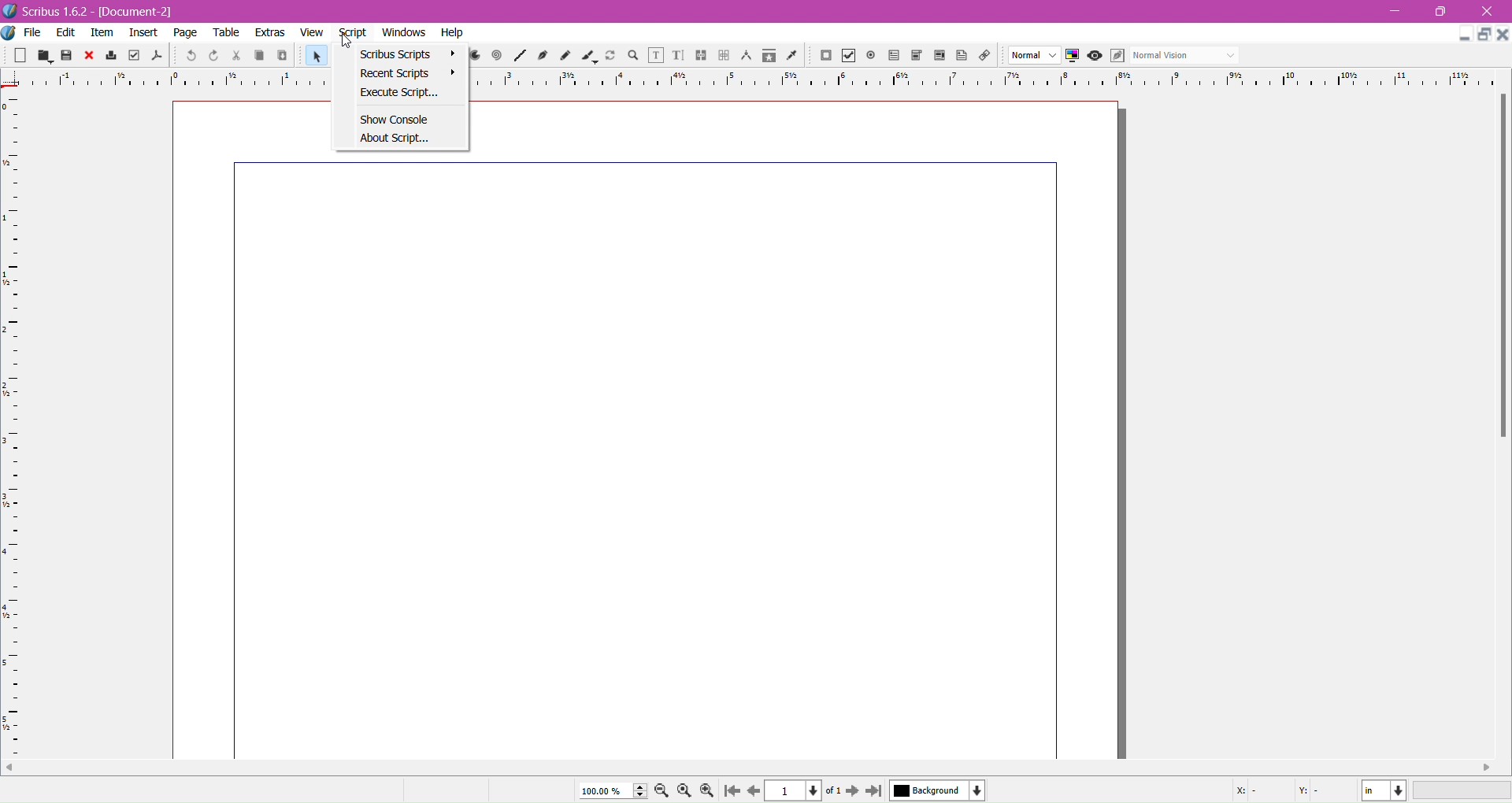  What do you see at coordinates (67, 33) in the screenshot?
I see `Edit` at bounding box center [67, 33].